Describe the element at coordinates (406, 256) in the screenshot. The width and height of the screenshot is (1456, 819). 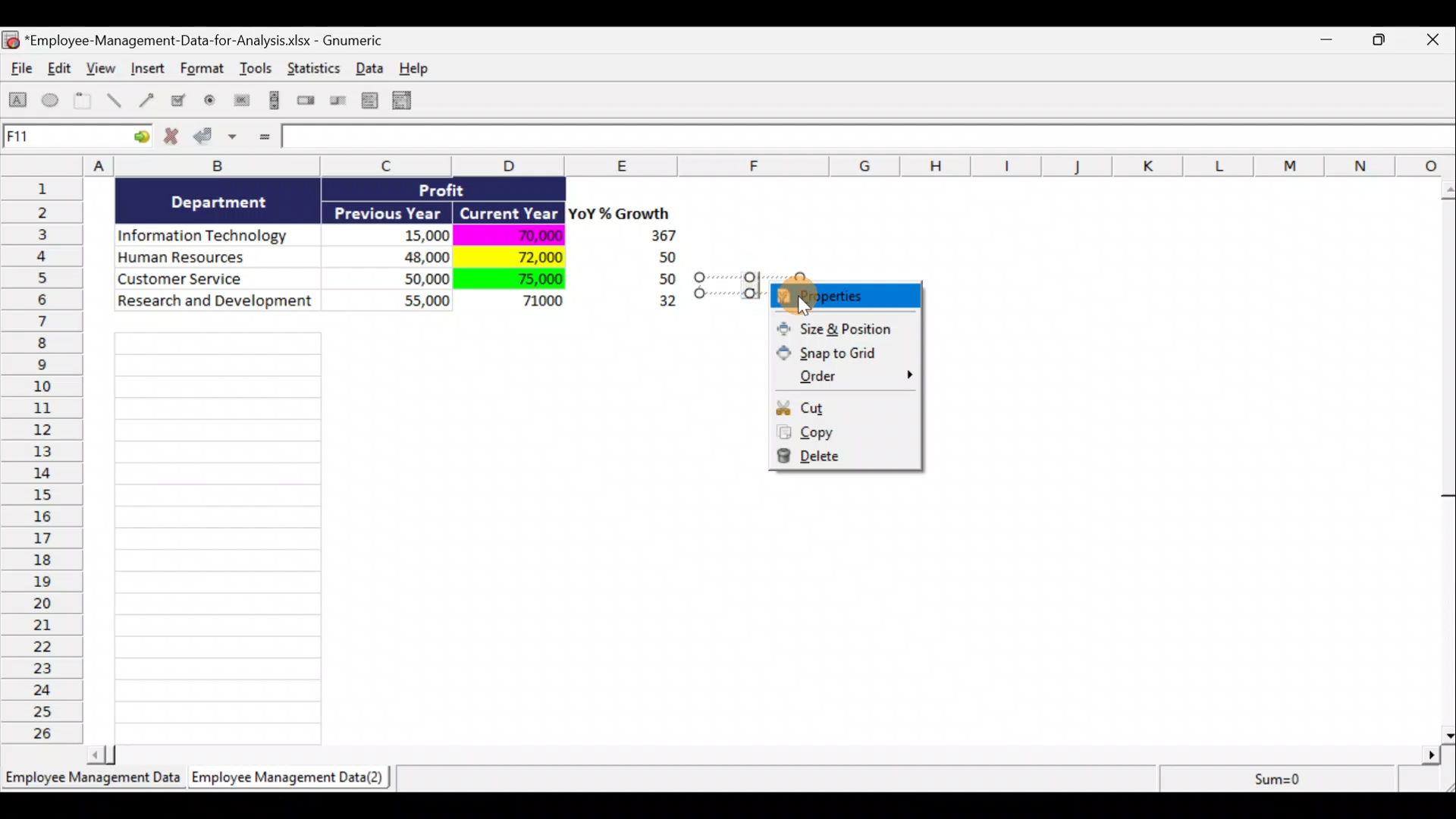
I see `Data` at that location.